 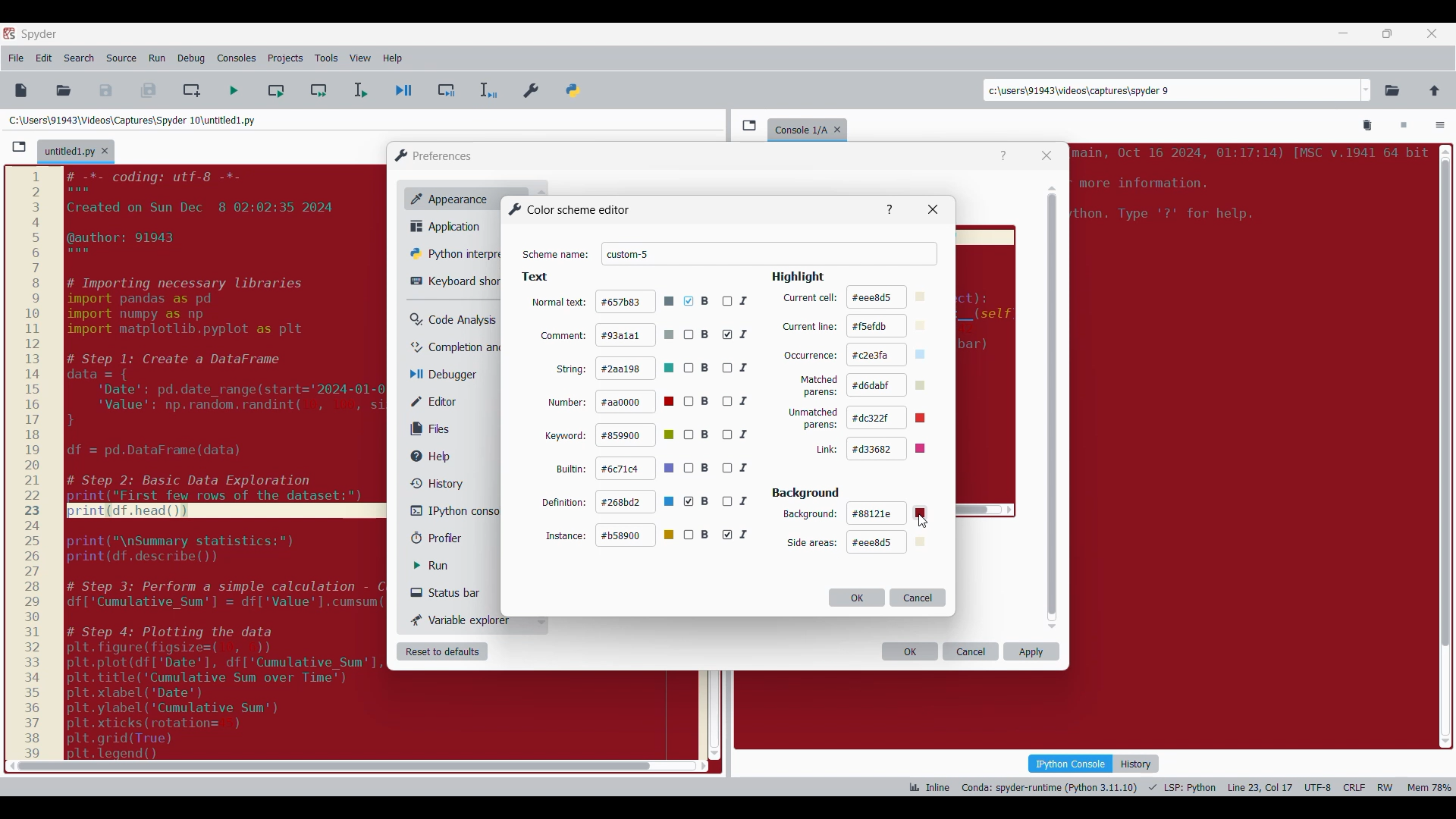 I want to click on B, so click(x=699, y=335).